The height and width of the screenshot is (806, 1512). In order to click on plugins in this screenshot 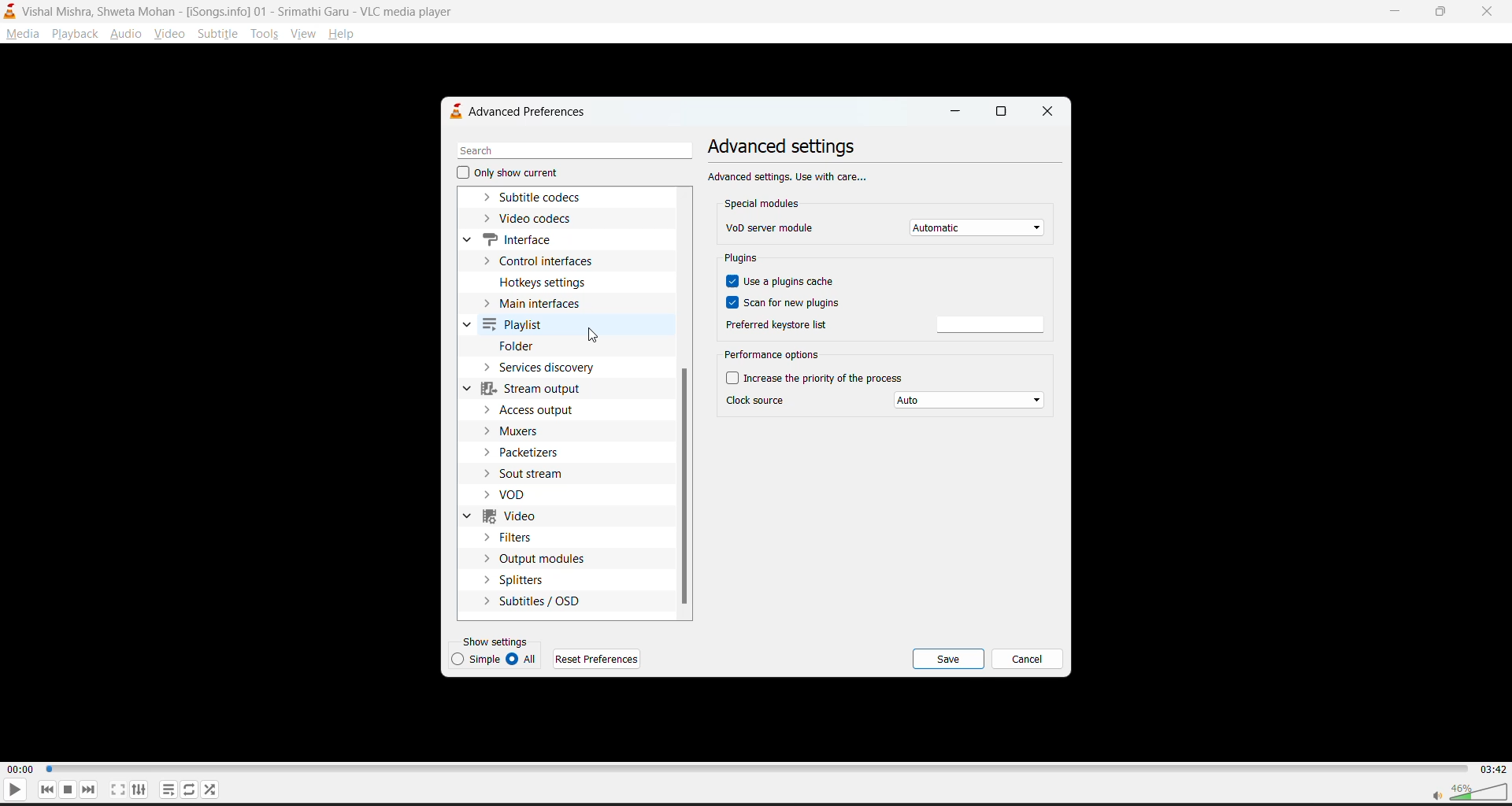, I will do `click(743, 259)`.